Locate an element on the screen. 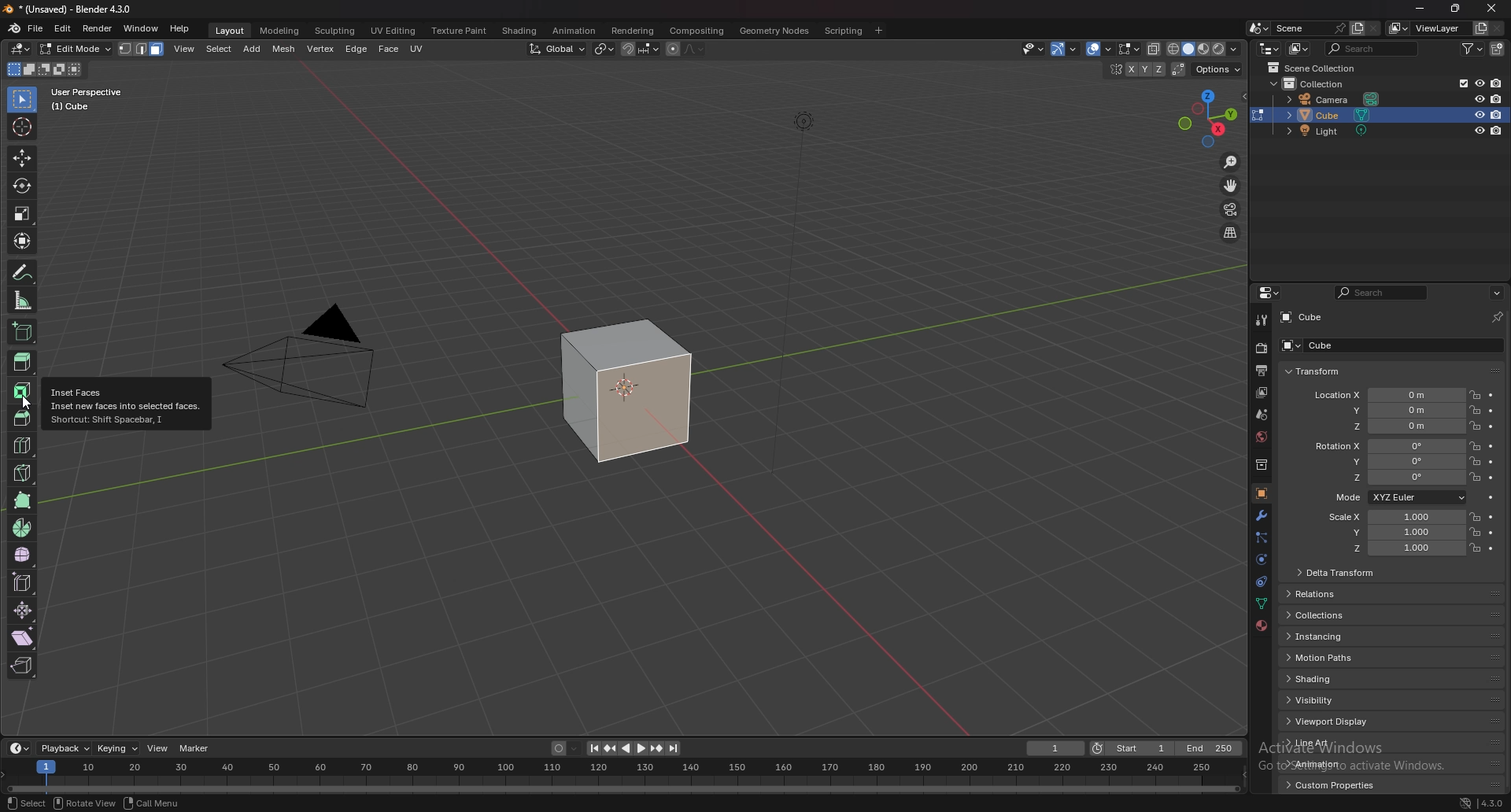  pin is located at coordinates (1498, 317).